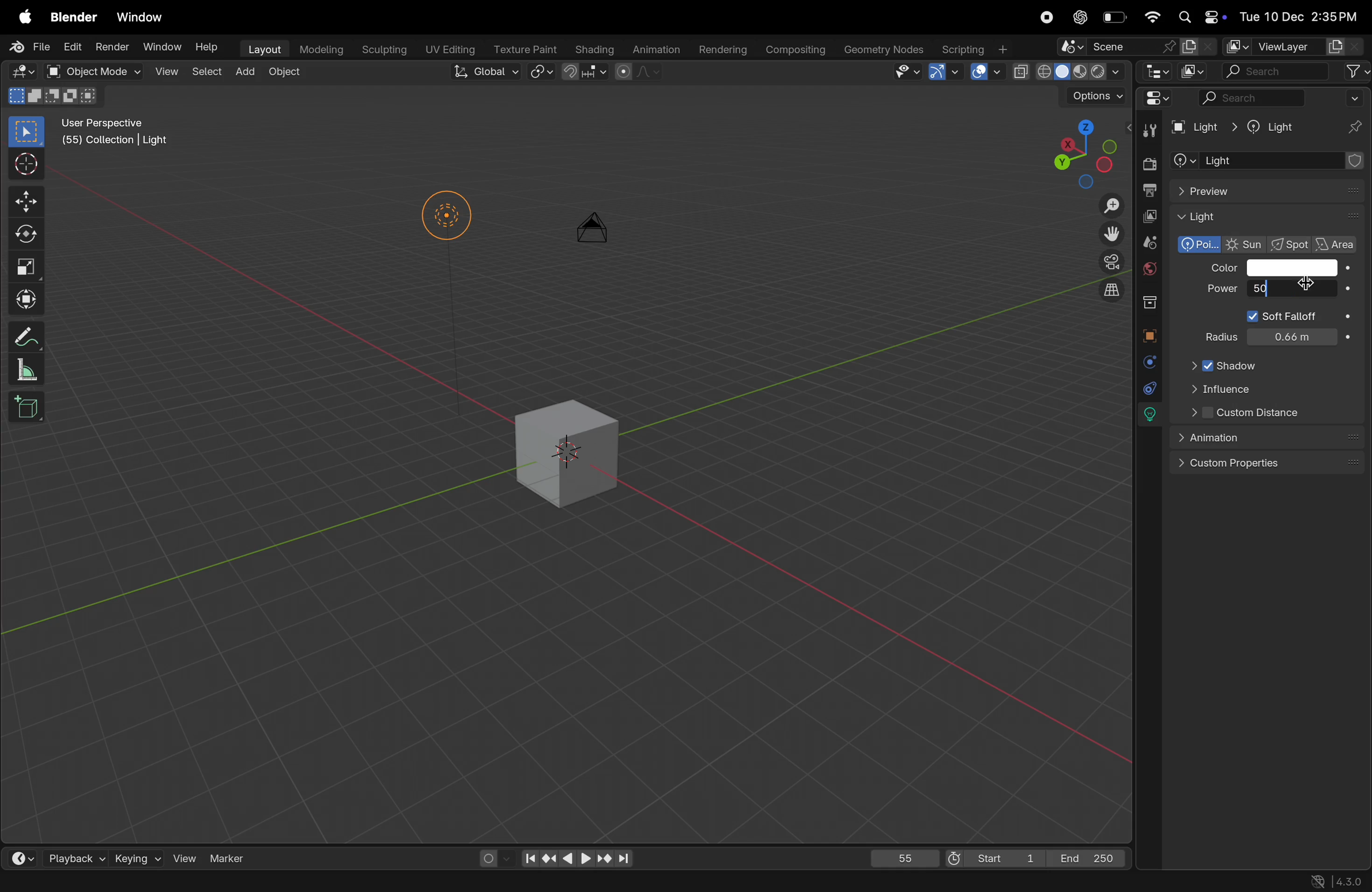 The image size is (1372, 892). I want to click on search, so click(1277, 71).